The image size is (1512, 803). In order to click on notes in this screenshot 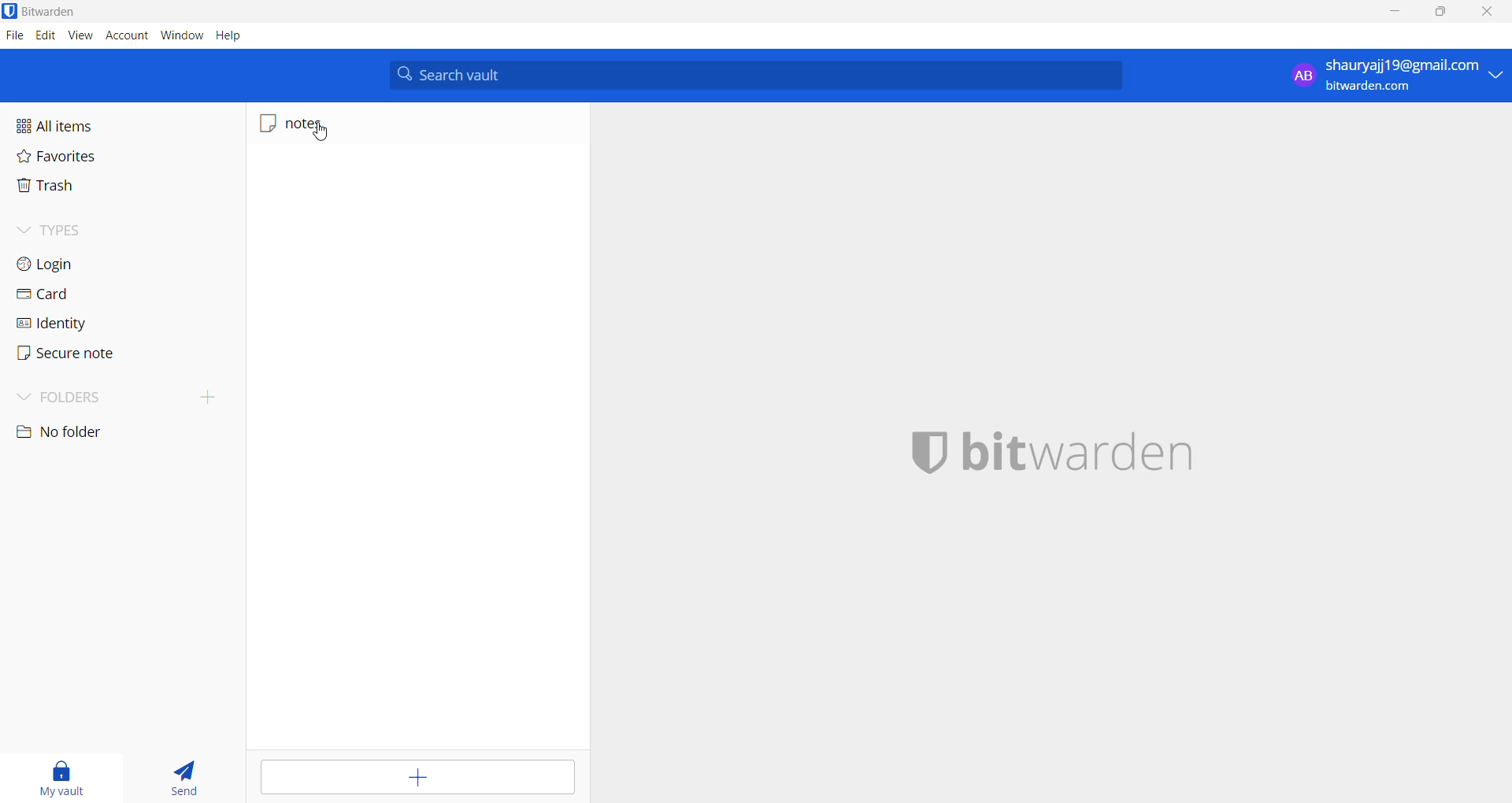, I will do `click(328, 124)`.